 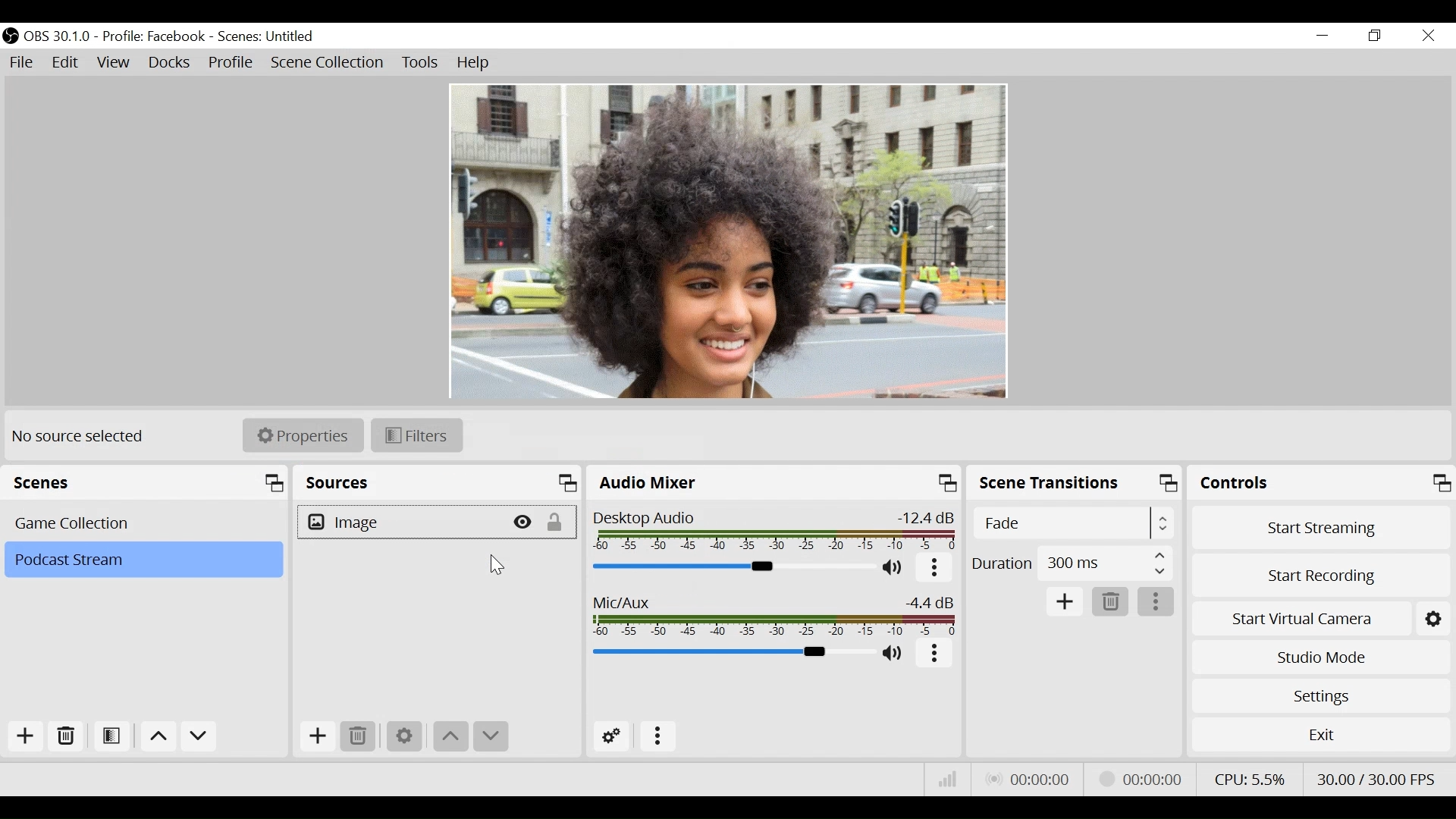 What do you see at coordinates (491, 737) in the screenshot?
I see `Move down` at bounding box center [491, 737].